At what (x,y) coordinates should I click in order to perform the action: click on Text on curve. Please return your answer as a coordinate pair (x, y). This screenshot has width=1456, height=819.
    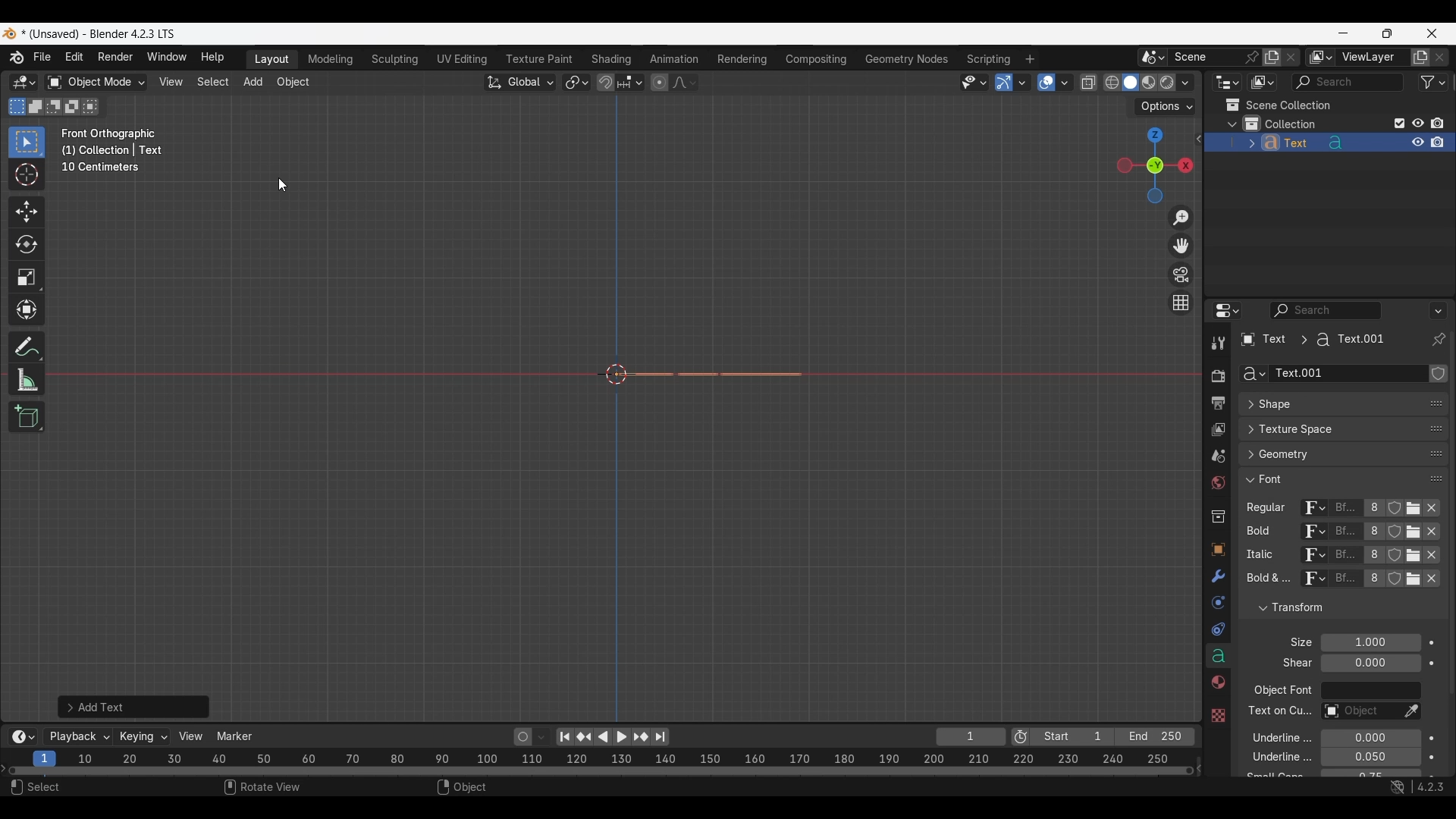
    Looking at the image, I should click on (1359, 712).